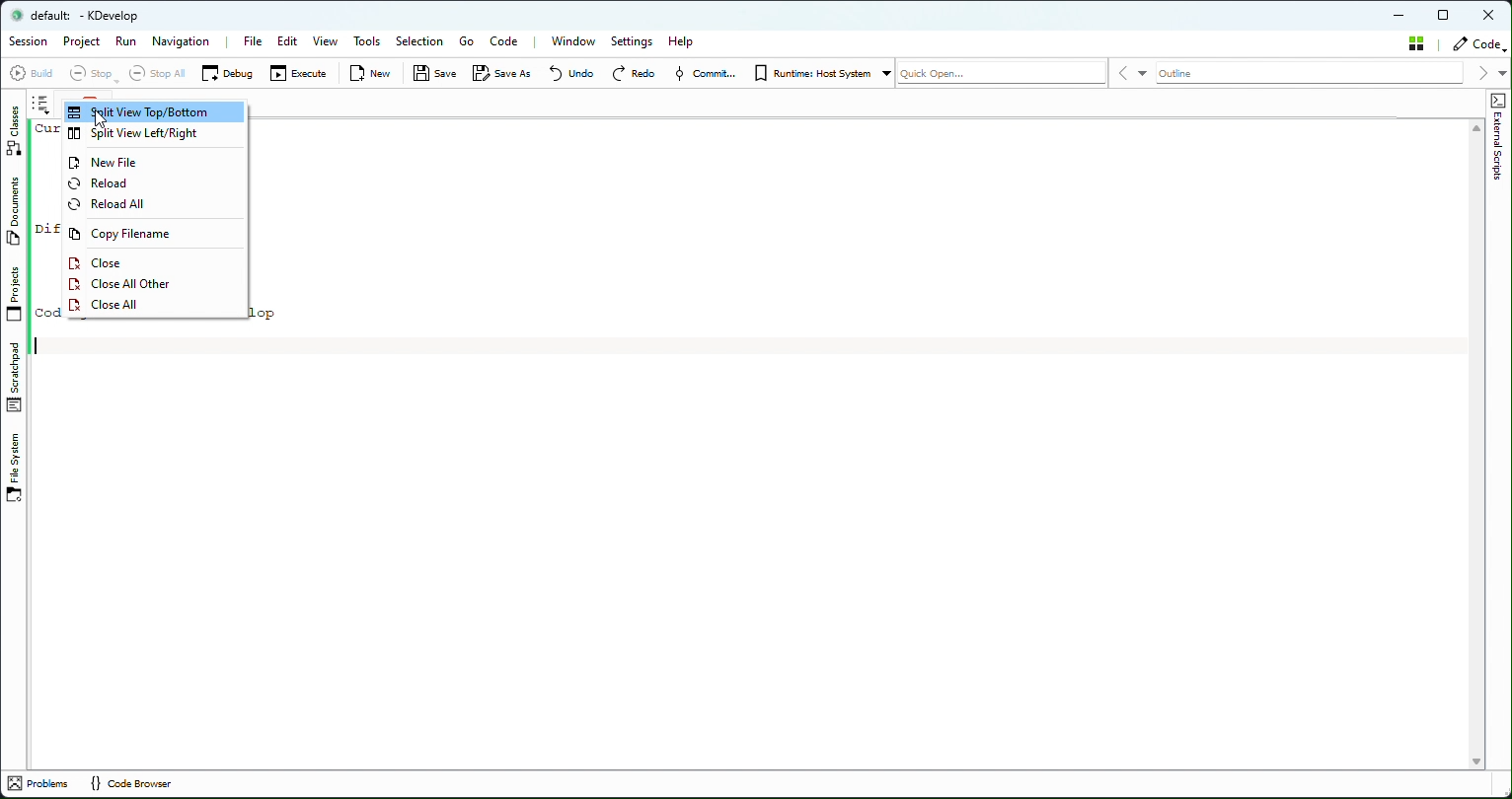 The height and width of the screenshot is (799, 1512). Describe the element at coordinates (821, 74) in the screenshot. I see `Runtime` at that location.